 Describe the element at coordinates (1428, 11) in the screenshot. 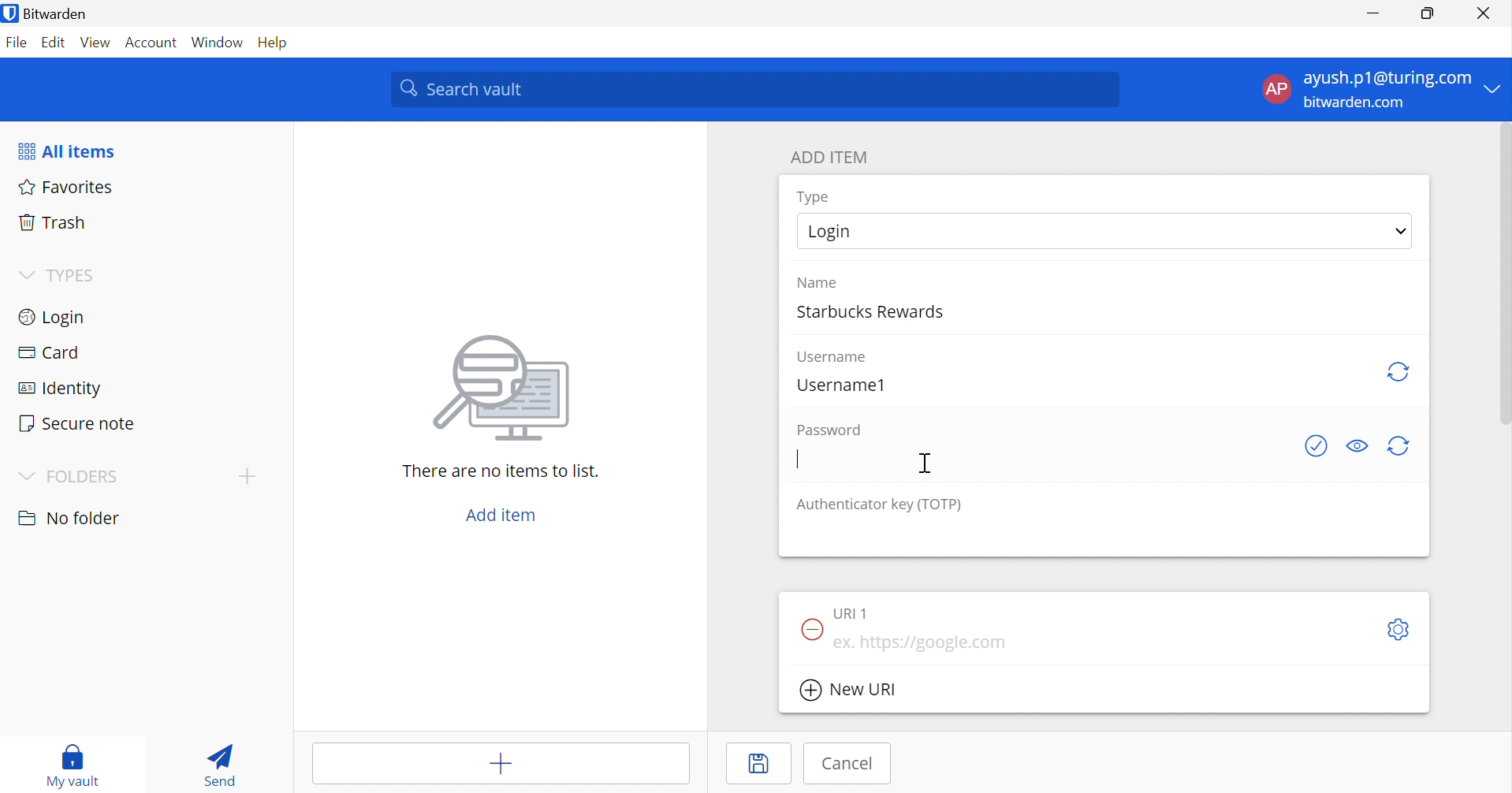

I see `Restore Down` at that location.